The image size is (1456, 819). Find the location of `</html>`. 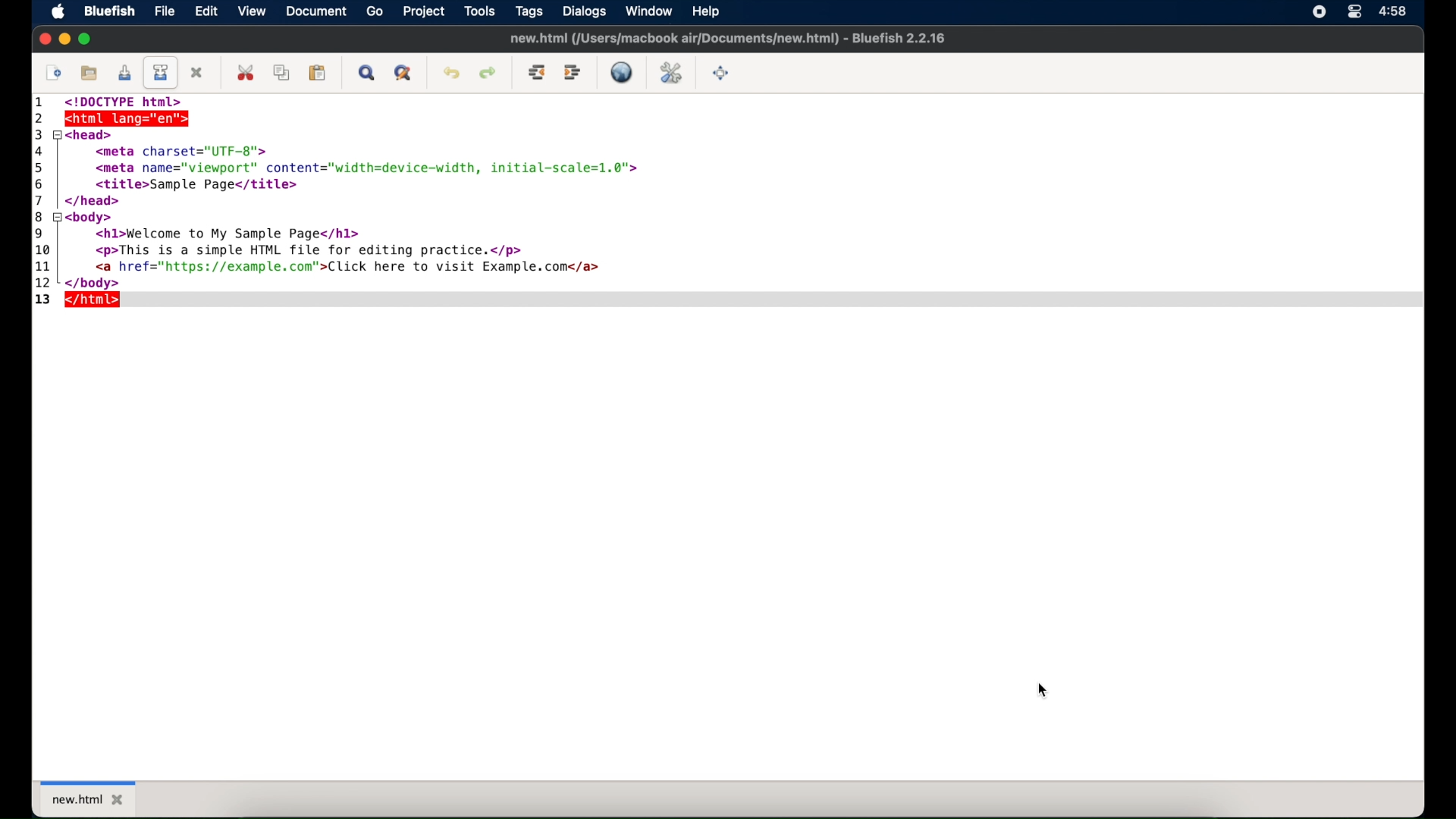

</html> is located at coordinates (95, 300).